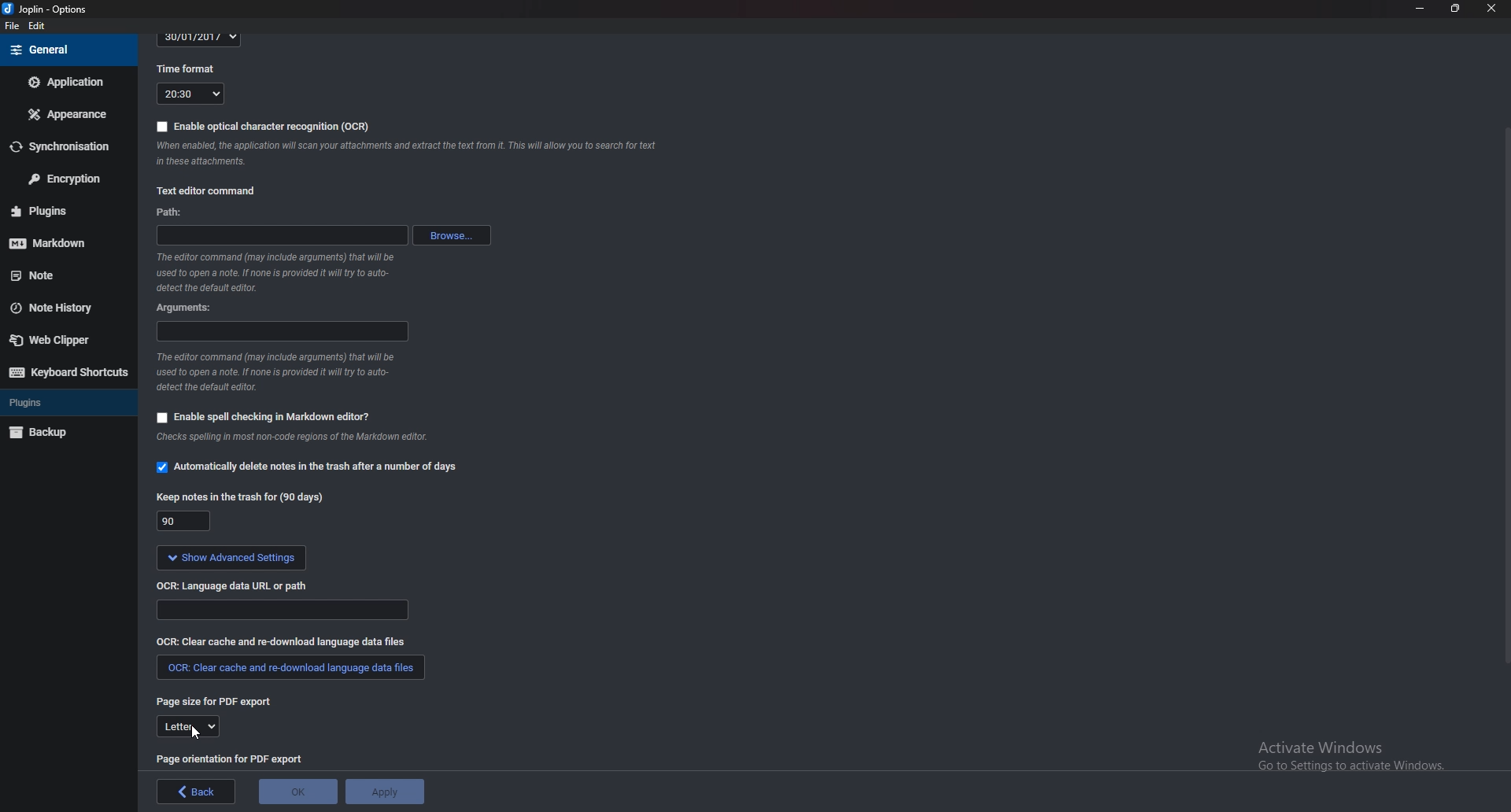 This screenshot has height=812, width=1511. I want to click on back, so click(197, 792).